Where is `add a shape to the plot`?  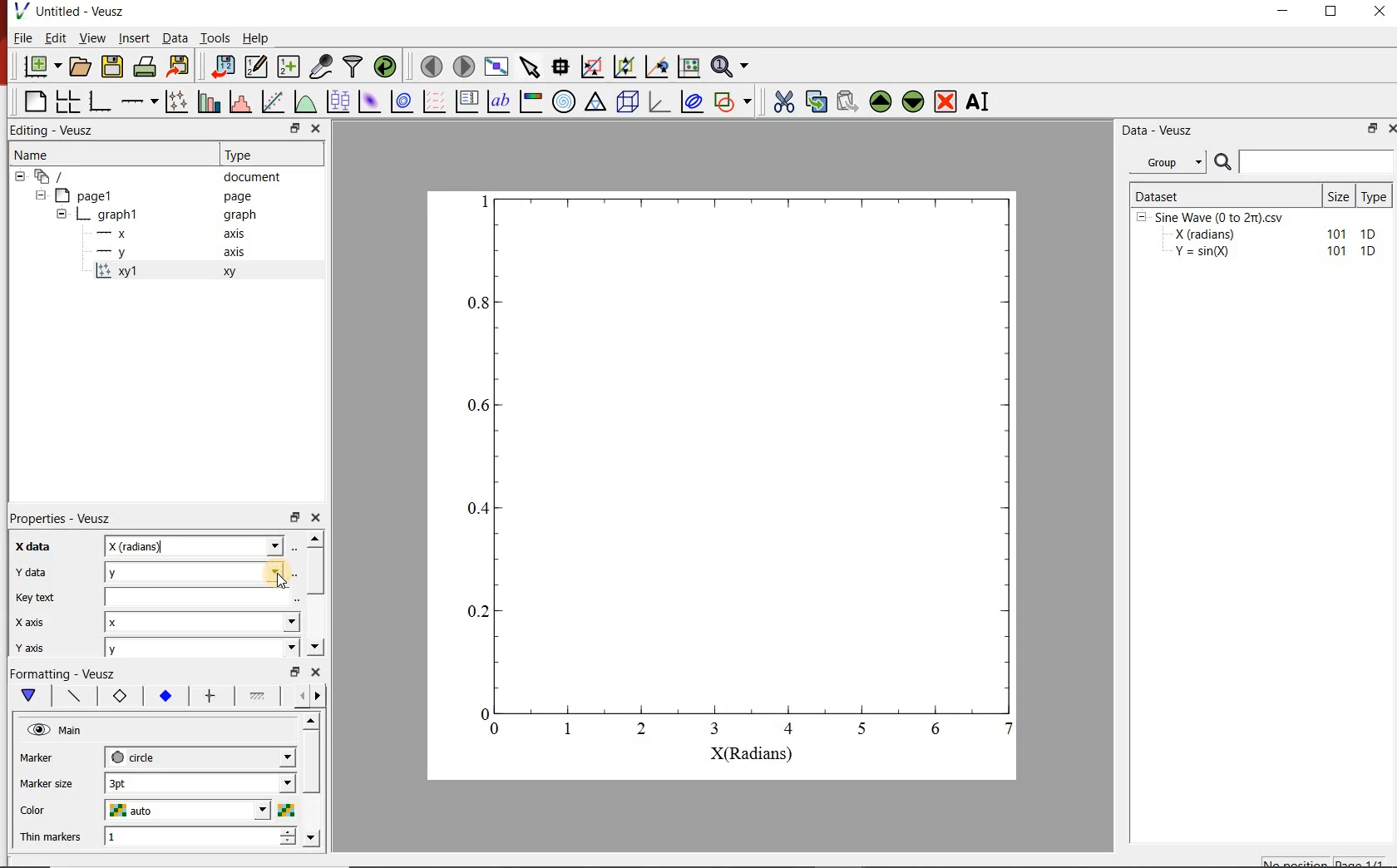 add a shape to the plot is located at coordinates (736, 101).